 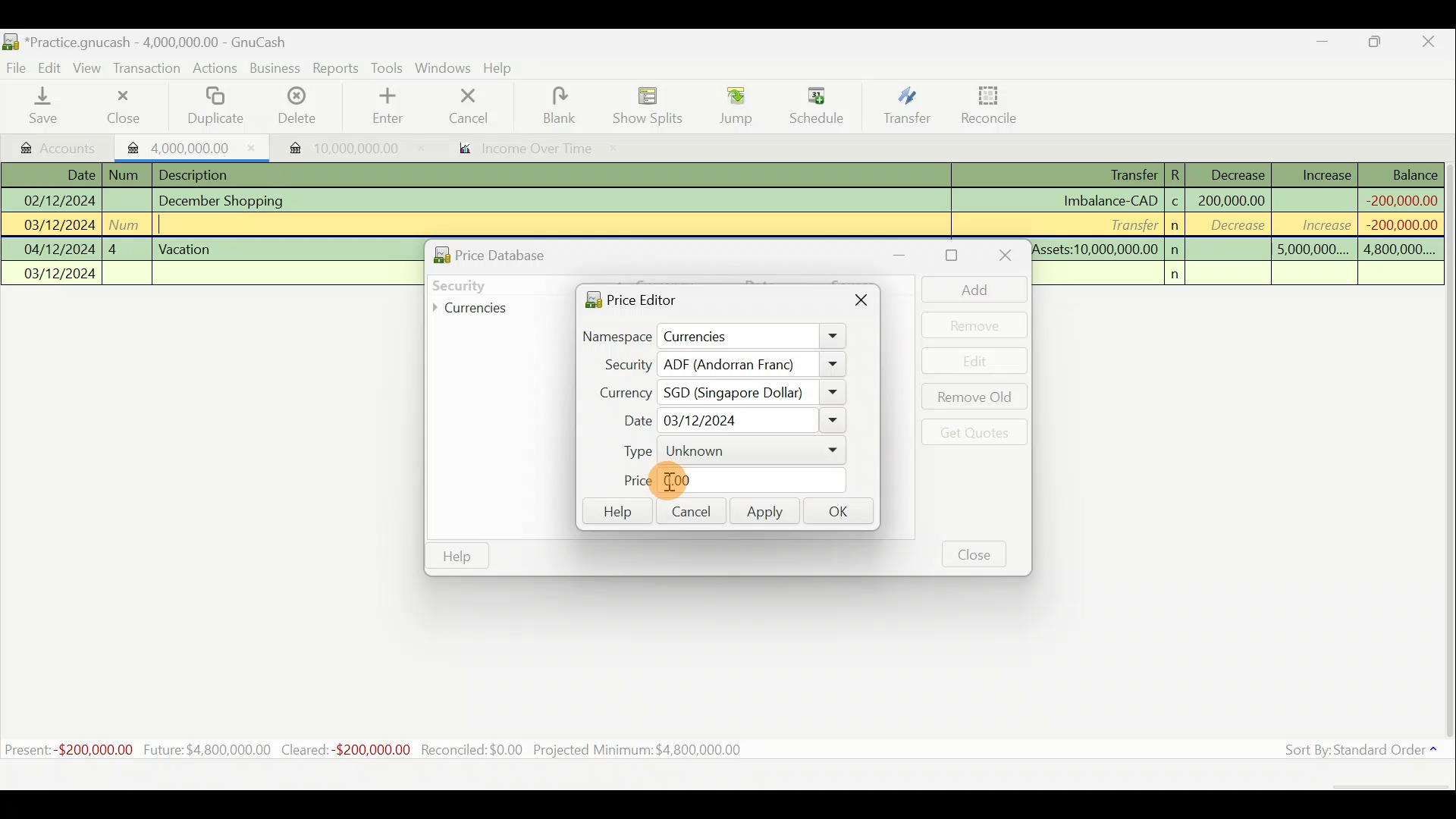 What do you see at coordinates (218, 106) in the screenshot?
I see `Duplicate` at bounding box center [218, 106].